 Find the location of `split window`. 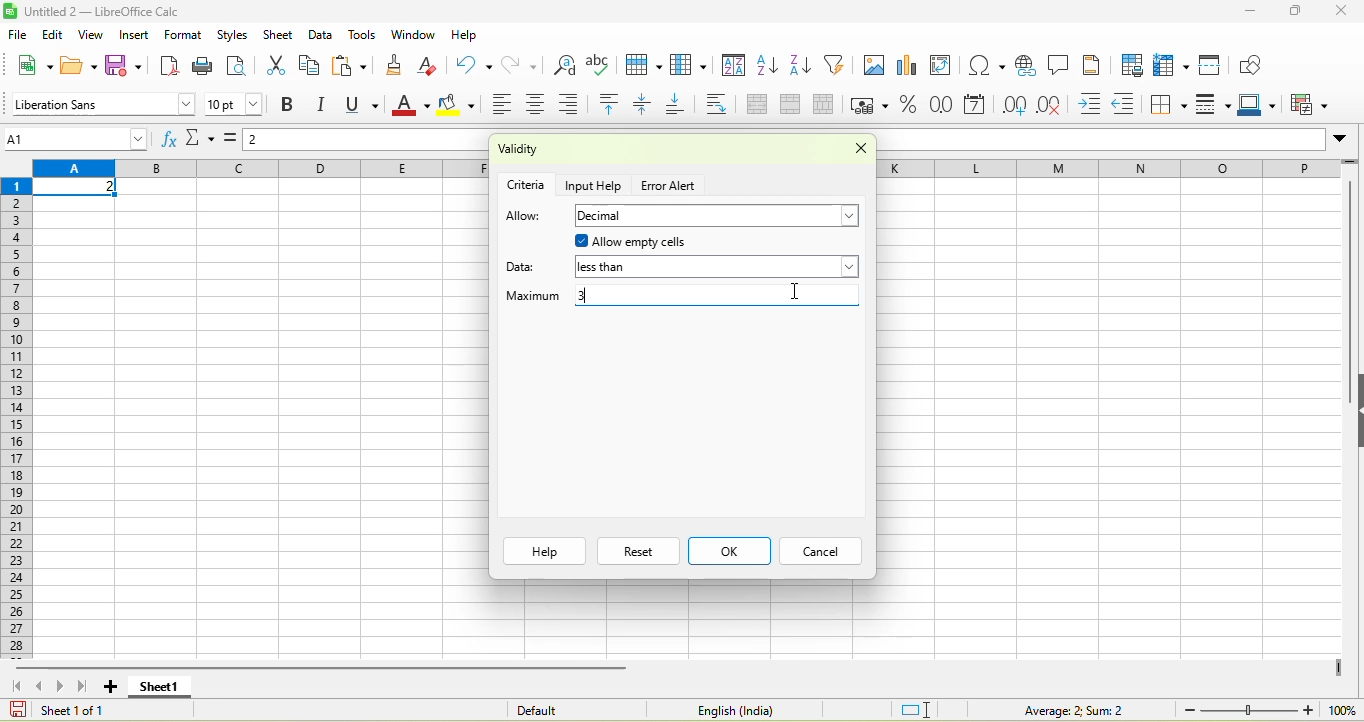

split window is located at coordinates (1215, 64).